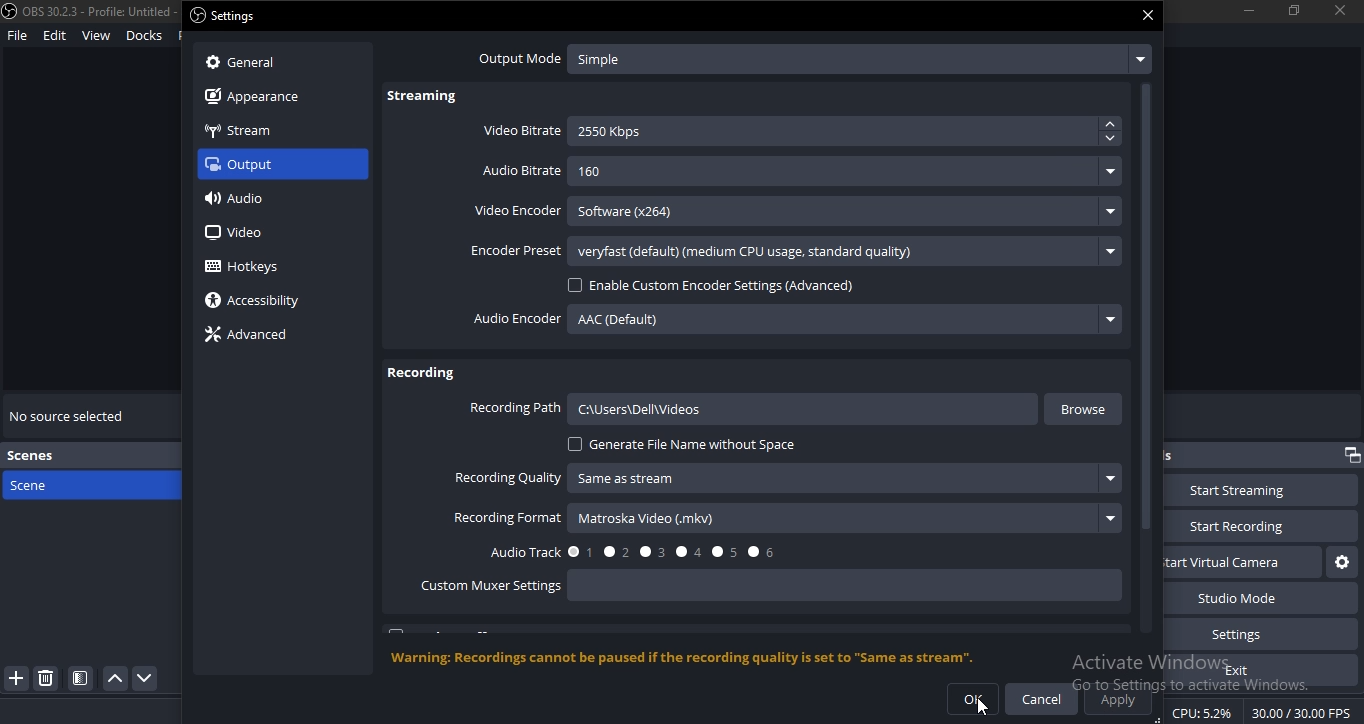  What do you see at coordinates (17, 37) in the screenshot?
I see `file` at bounding box center [17, 37].